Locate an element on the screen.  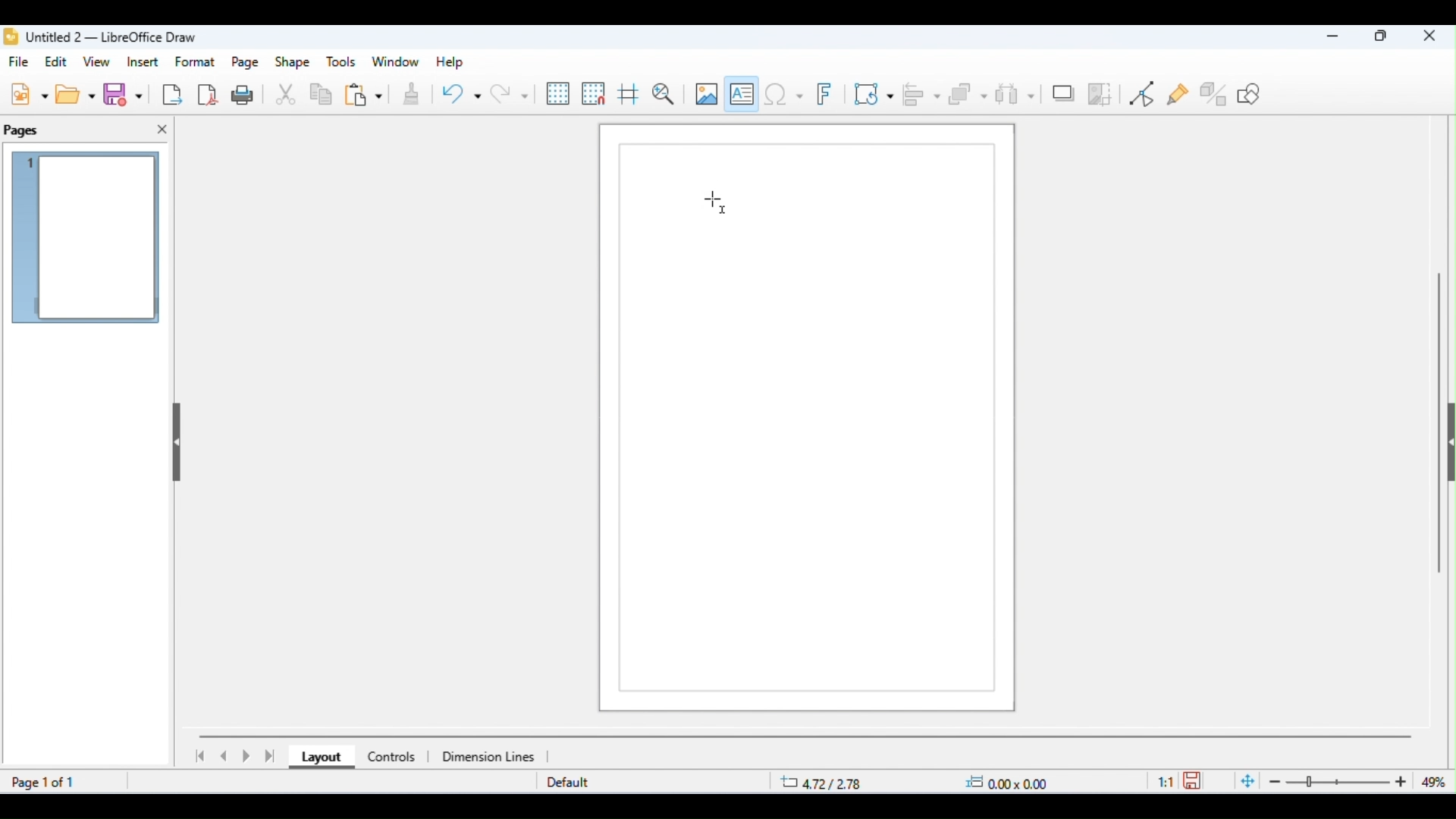
next page is located at coordinates (249, 757).